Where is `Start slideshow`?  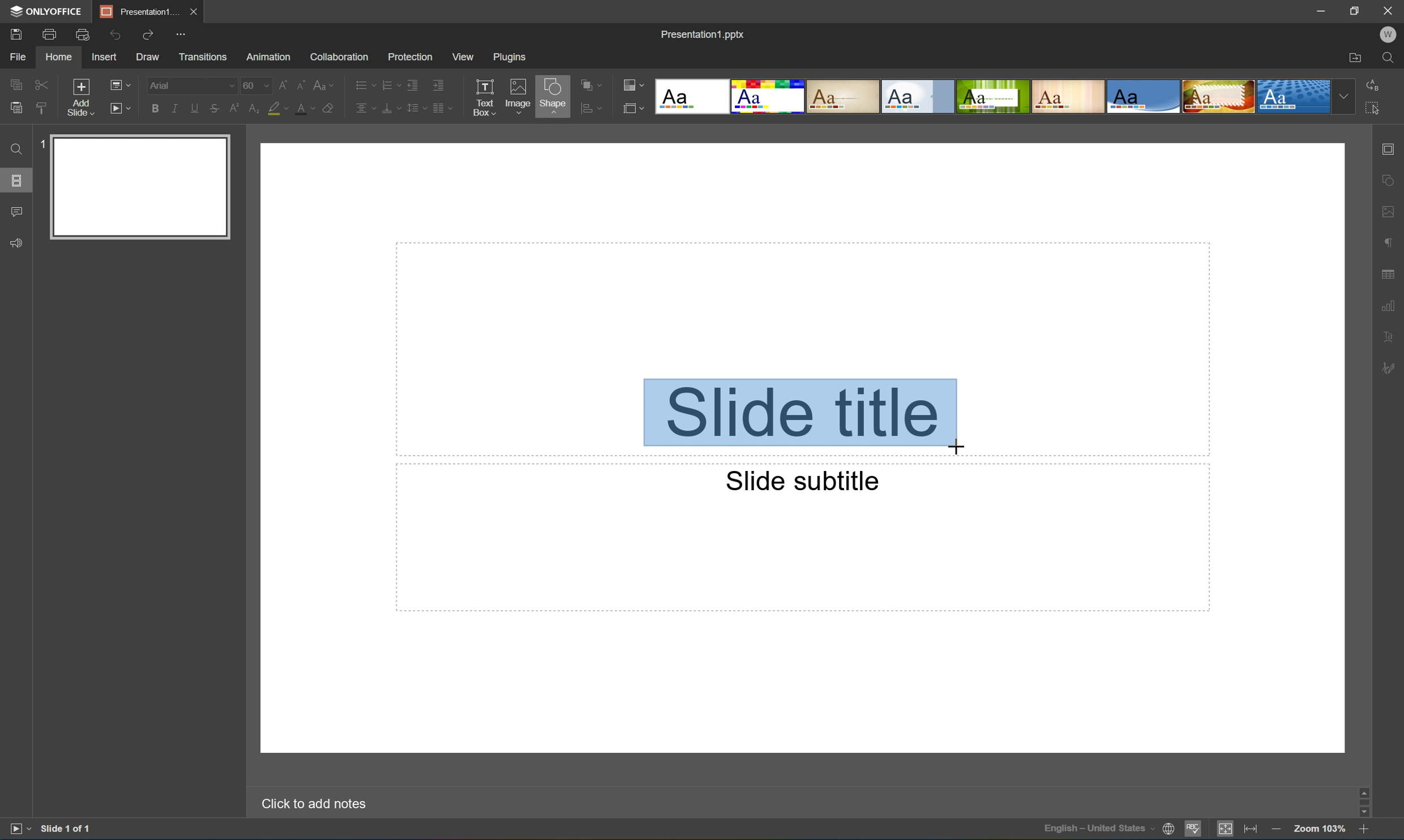
Start slideshow is located at coordinates (122, 109).